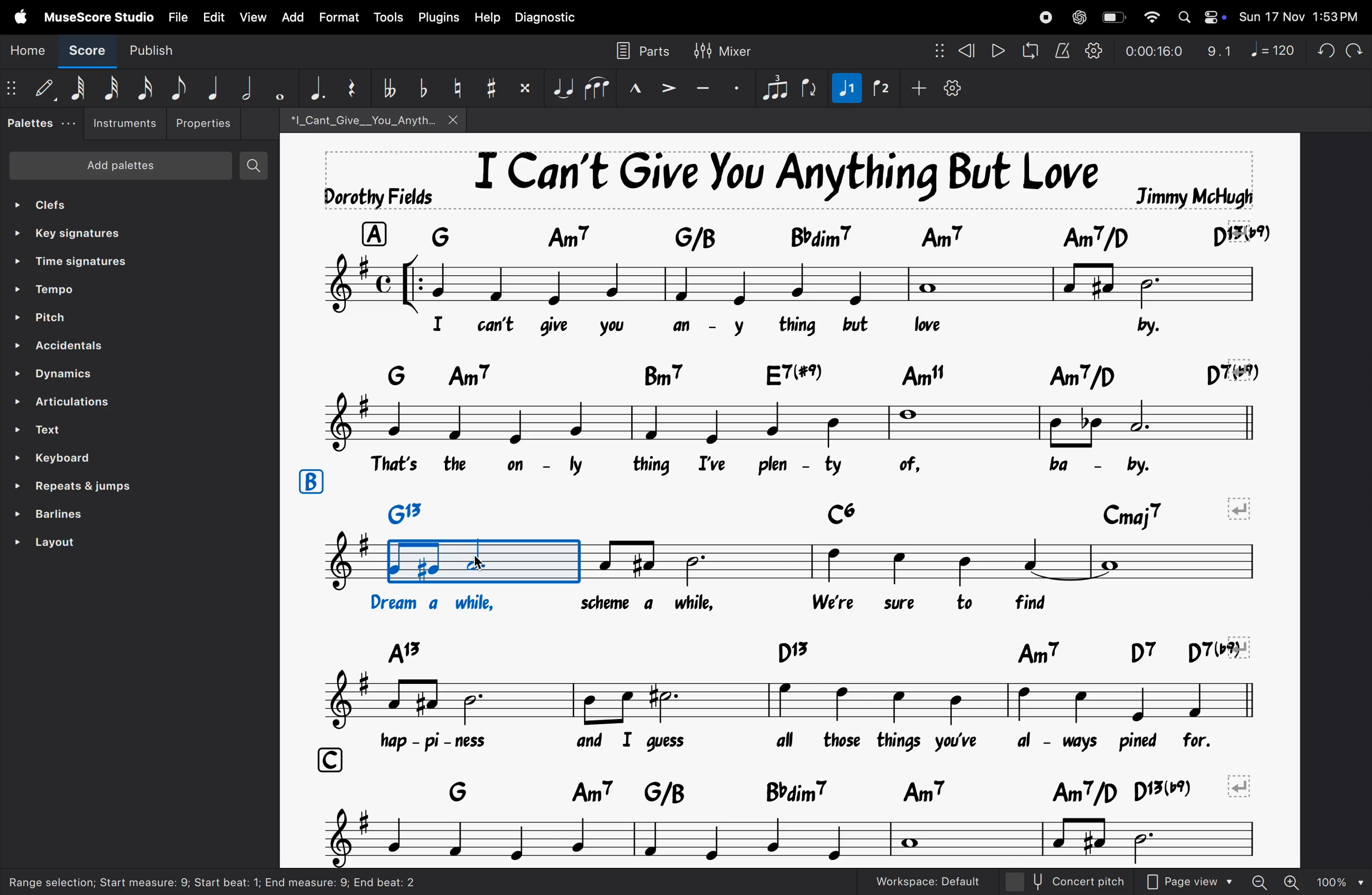 This screenshot has height=895, width=1372. I want to click on accent, so click(670, 88).